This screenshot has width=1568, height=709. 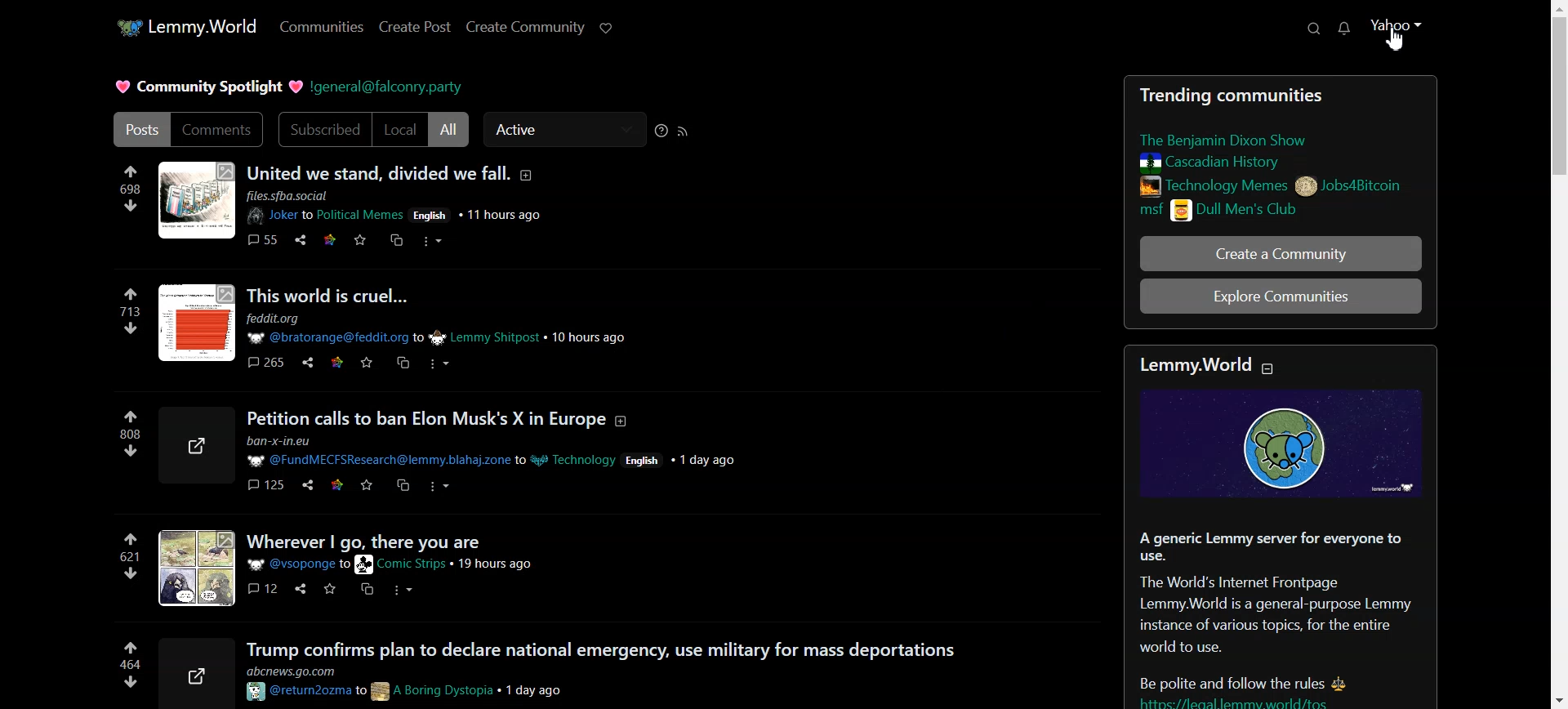 I want to click on 713, so click(x=126, y=313).